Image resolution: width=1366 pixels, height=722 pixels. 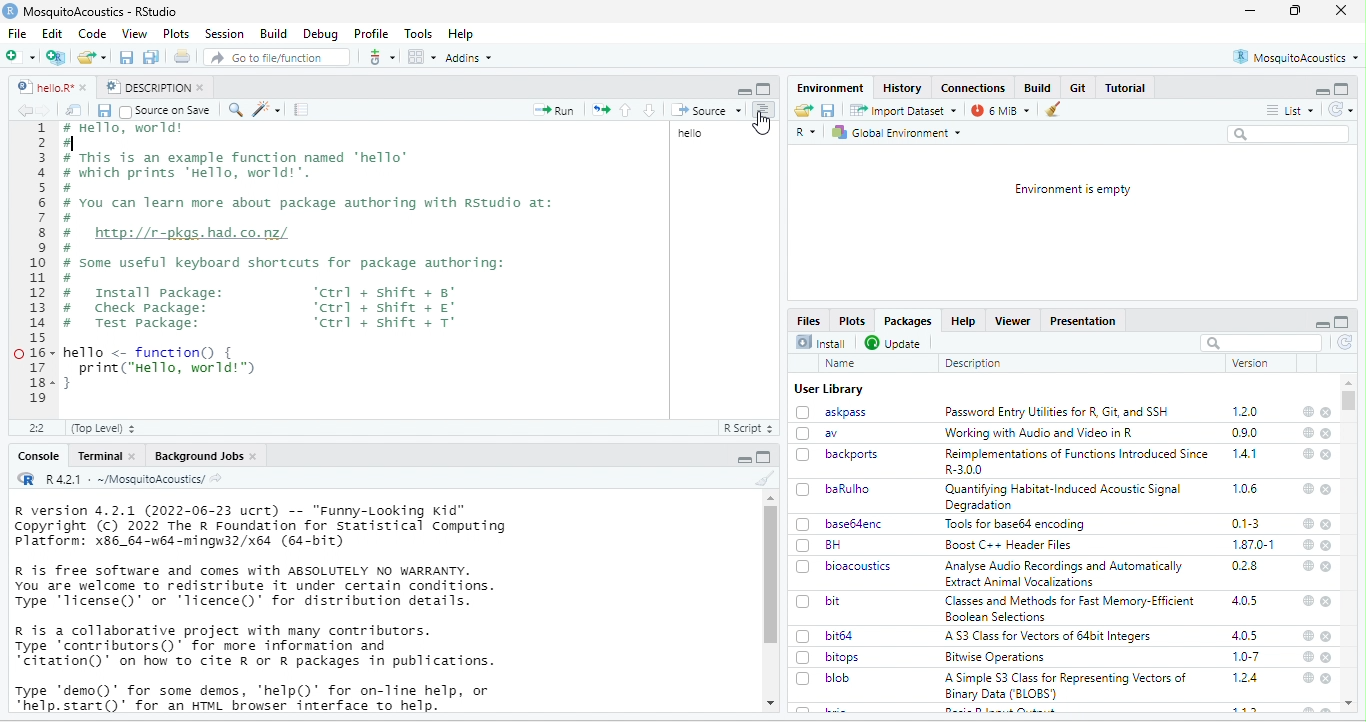 I want to click on Reimplementations of Functions Introduced Since R-3.00, so click(x=1076, y=462).